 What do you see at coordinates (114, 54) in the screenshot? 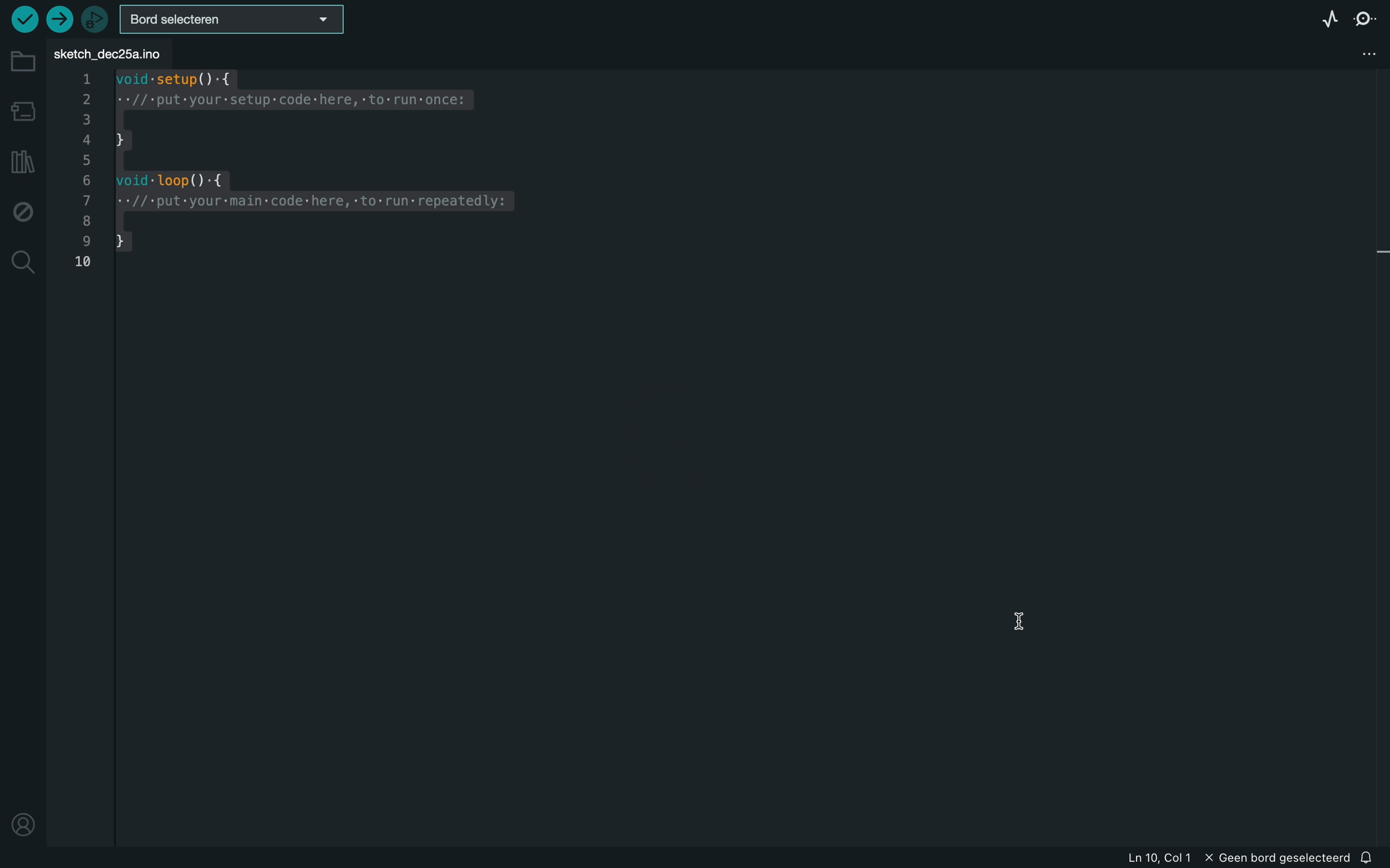
I see `file  tab ` at bounding box center [114, 54].